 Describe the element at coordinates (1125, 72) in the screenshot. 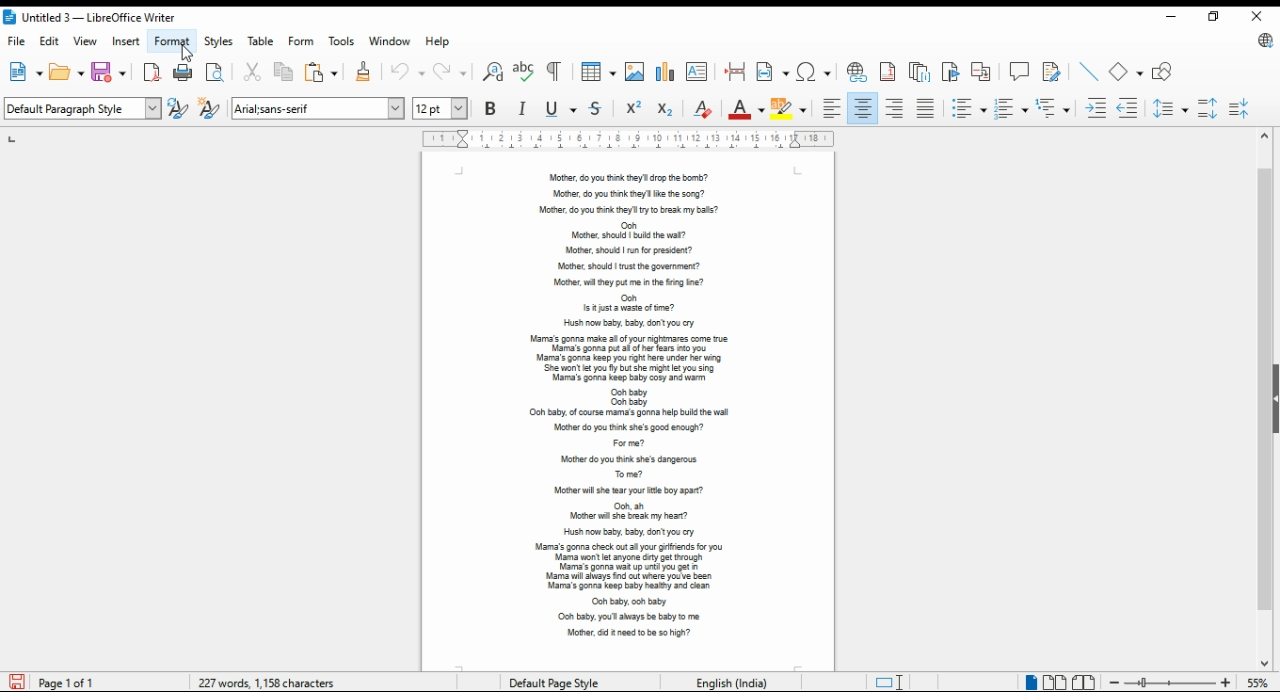

I see `simple shapes` at that location.